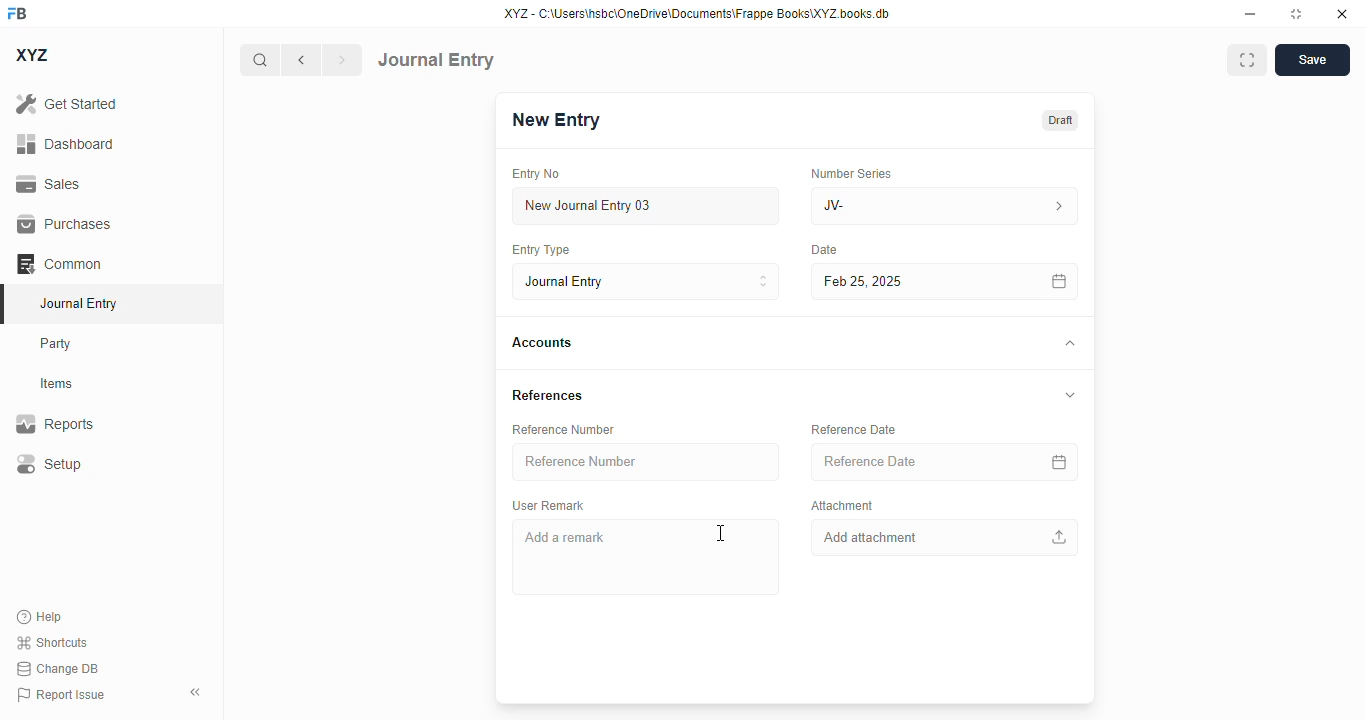 The image size is (1366, 720). What do you see at coordinates (259, 60) in the screenshot?
I see `search` at bounding box center [259, 60].